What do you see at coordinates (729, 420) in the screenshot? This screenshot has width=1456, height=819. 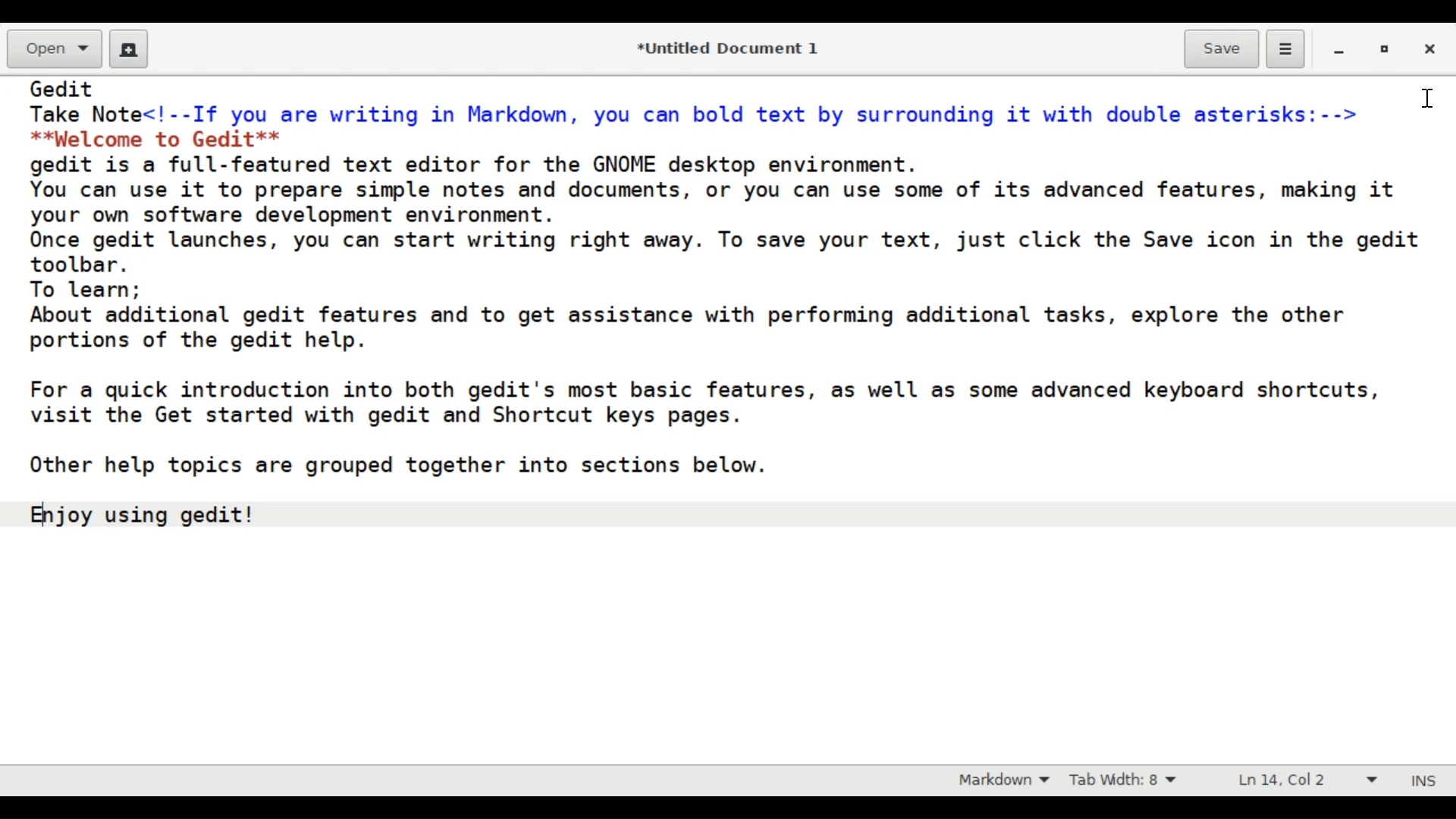 I see `Gedit Take Note<!--If you are writing in Markdown, you can bold text by surrounding it with double asterisks:--> **Welcome to Gedit** gedit is a full-featured text editor for the GNOME desktop environment. You can use it to prepare simple notes and documents, or you can use some of its advanced features, making it your own software development environment` at bounding box center [729, 420].